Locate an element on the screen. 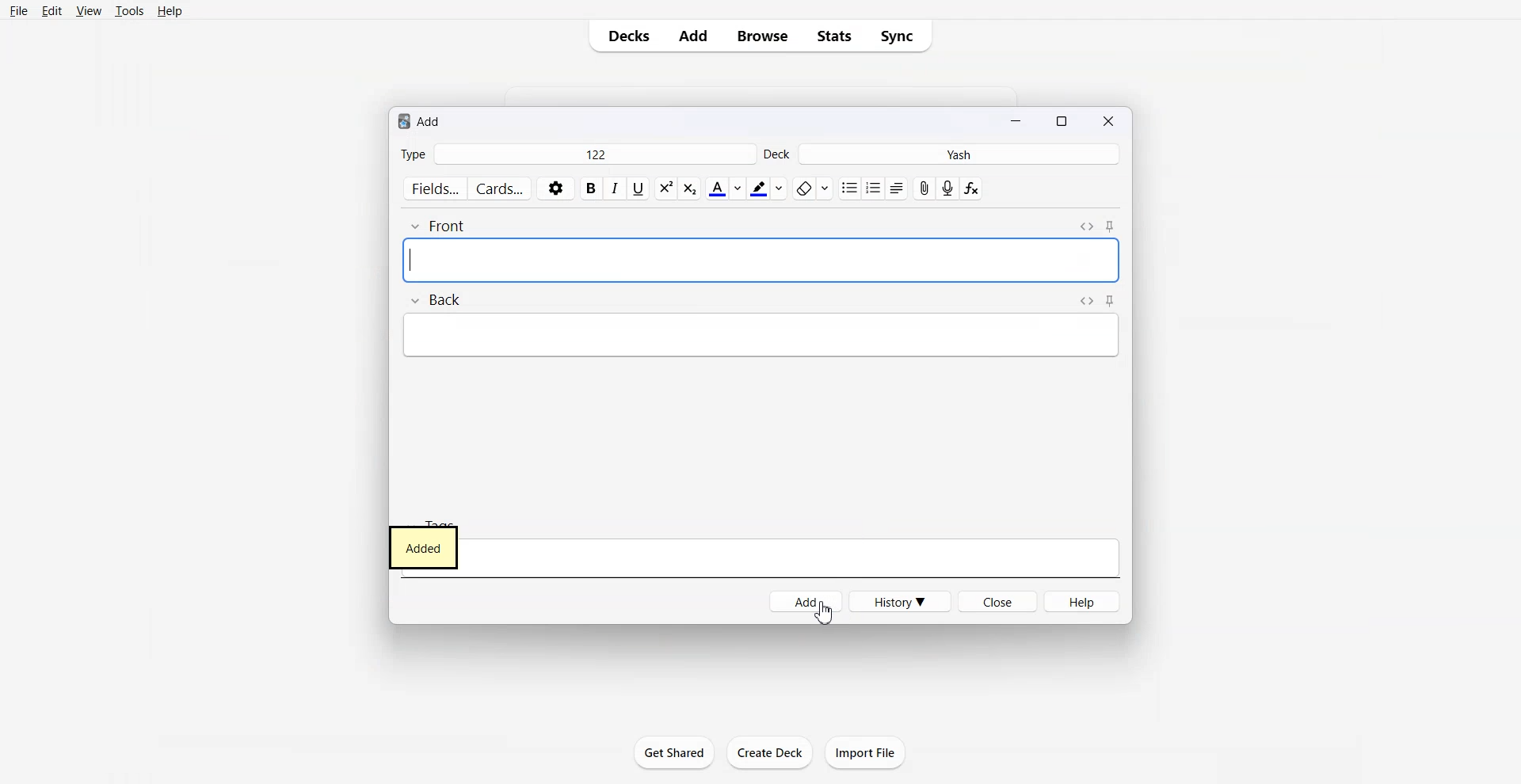  Deck is located at coordinates (776, 154).